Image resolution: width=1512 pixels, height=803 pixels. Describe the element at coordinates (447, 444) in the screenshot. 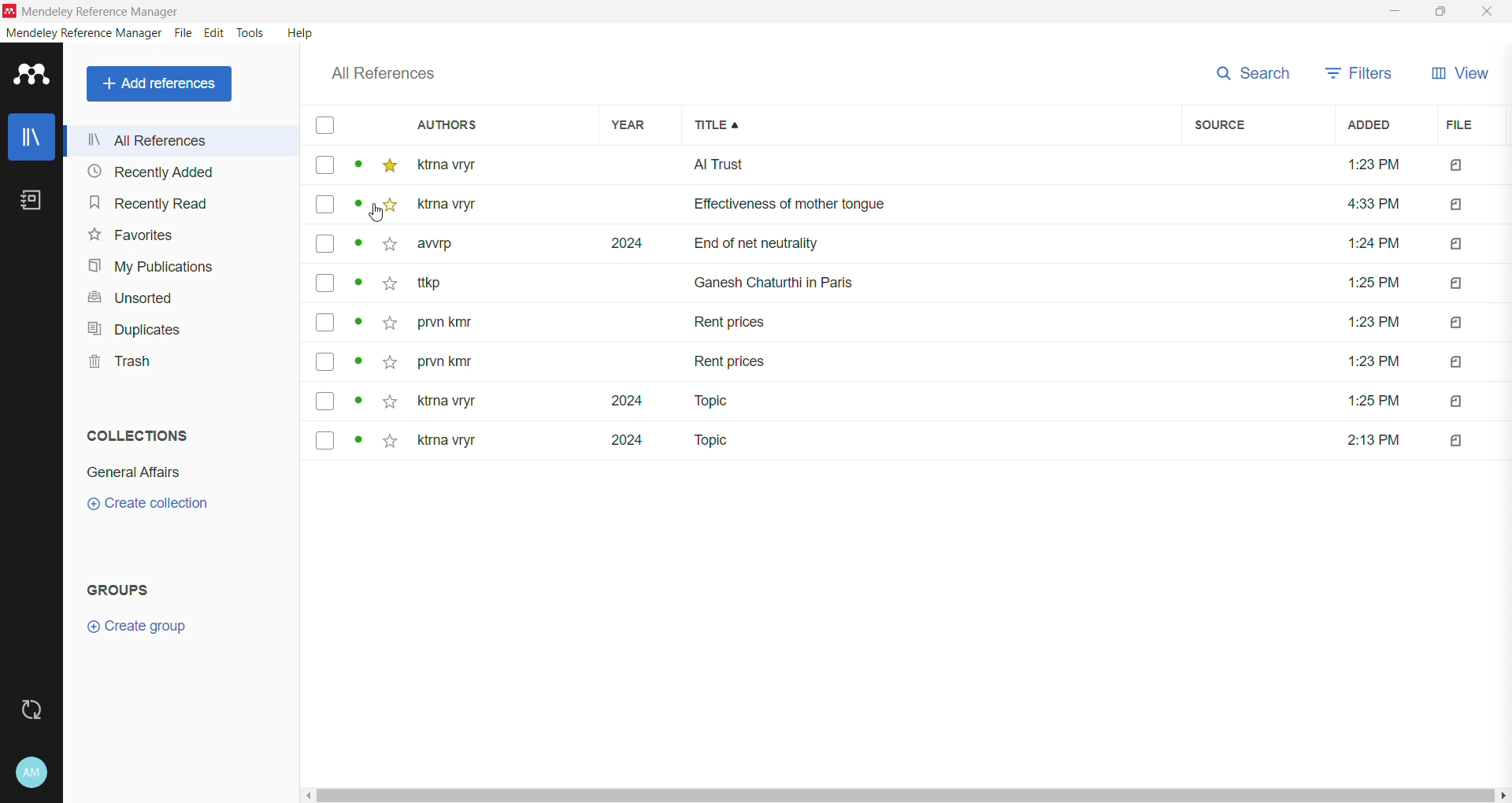

I see `ktma vryr` at that location.